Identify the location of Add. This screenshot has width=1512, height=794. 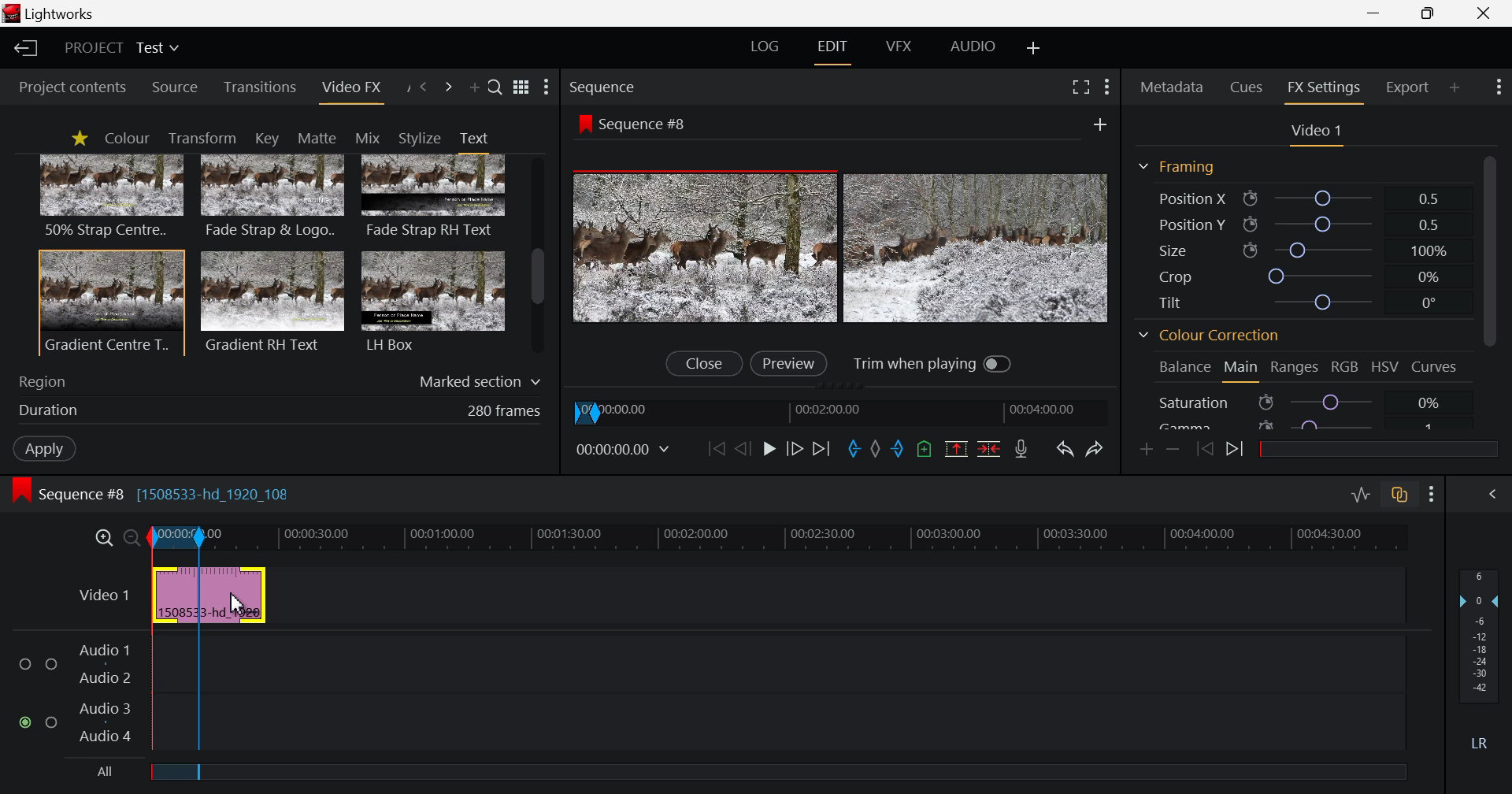
(1095, 123).